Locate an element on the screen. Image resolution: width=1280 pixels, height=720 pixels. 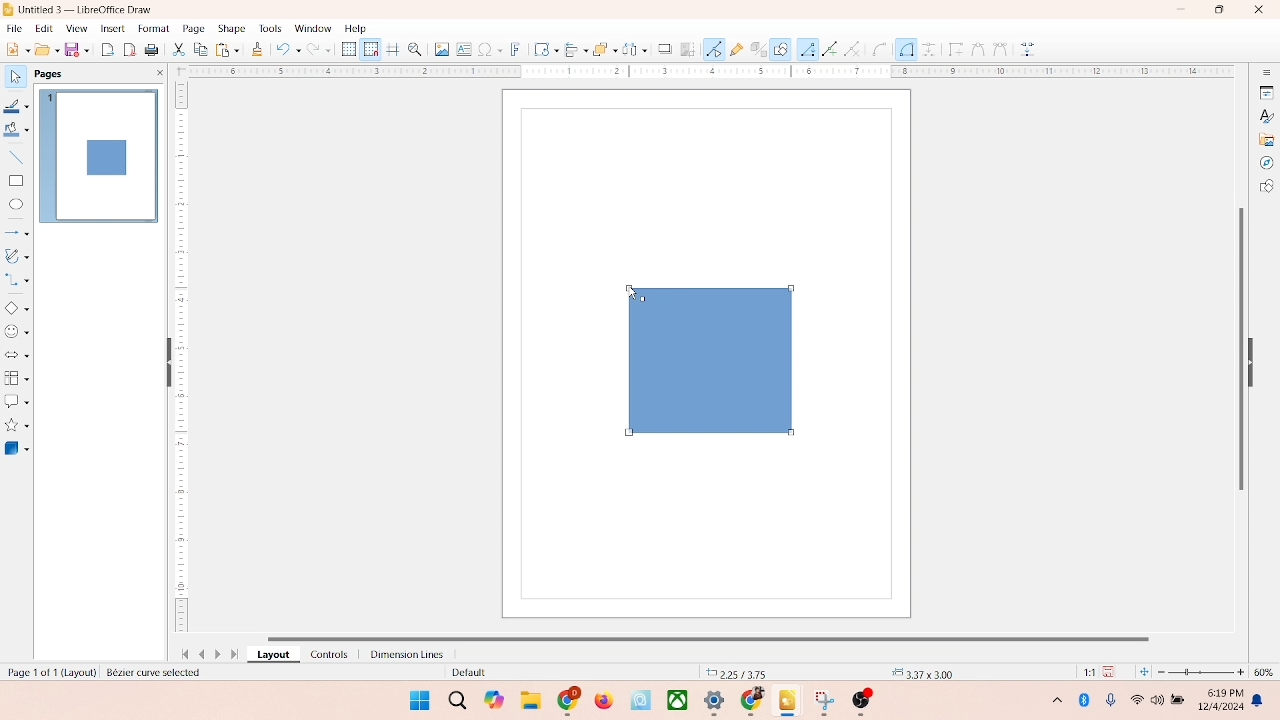
search is located at coordinates (458, 701).